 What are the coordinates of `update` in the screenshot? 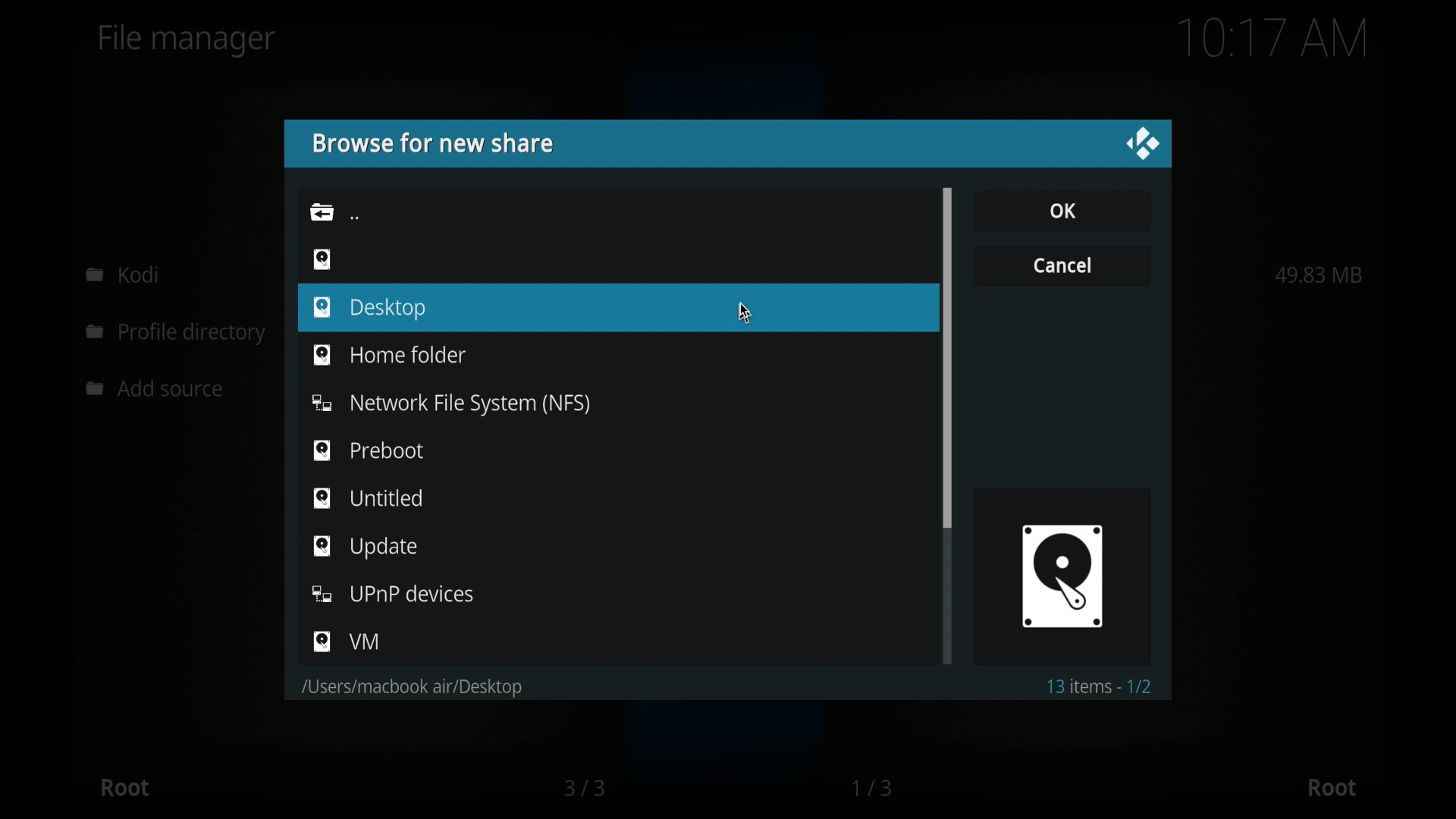 It's located at (365, 547).